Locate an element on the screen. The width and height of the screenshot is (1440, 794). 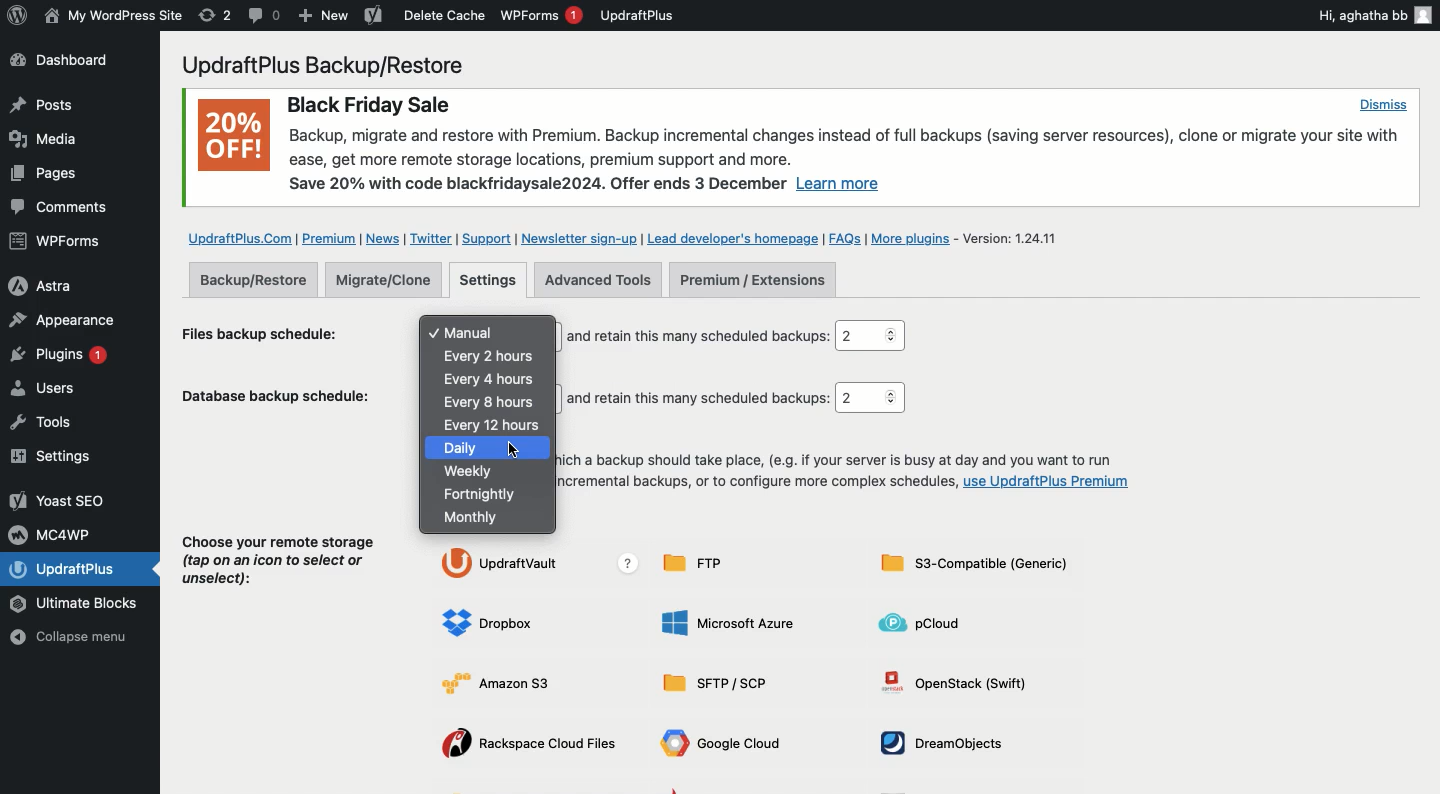
Rackspace cloud files is located at coordinates (534, 745).